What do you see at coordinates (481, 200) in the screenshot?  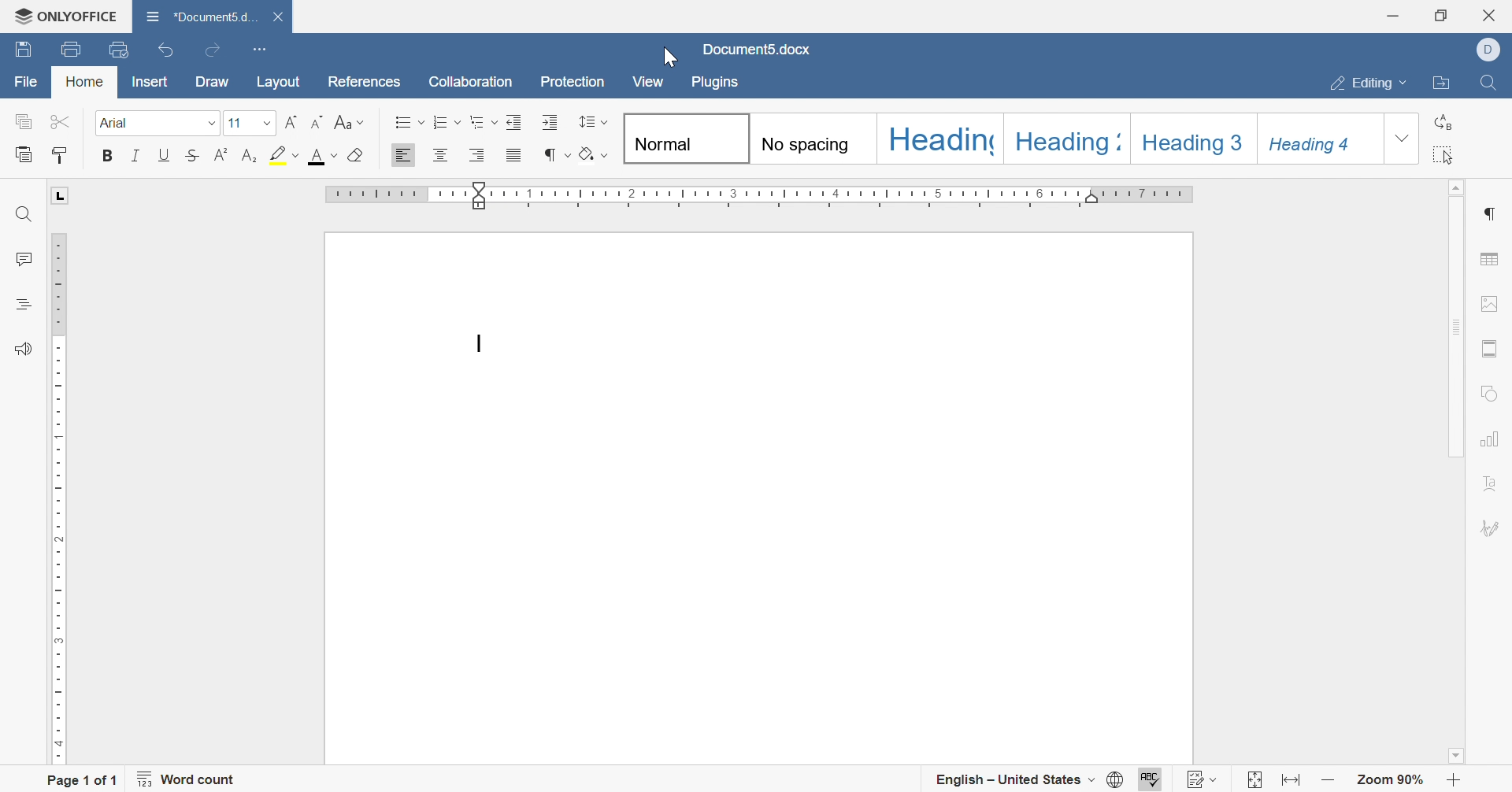 I see `slider position` at bounding box center [481, 200].